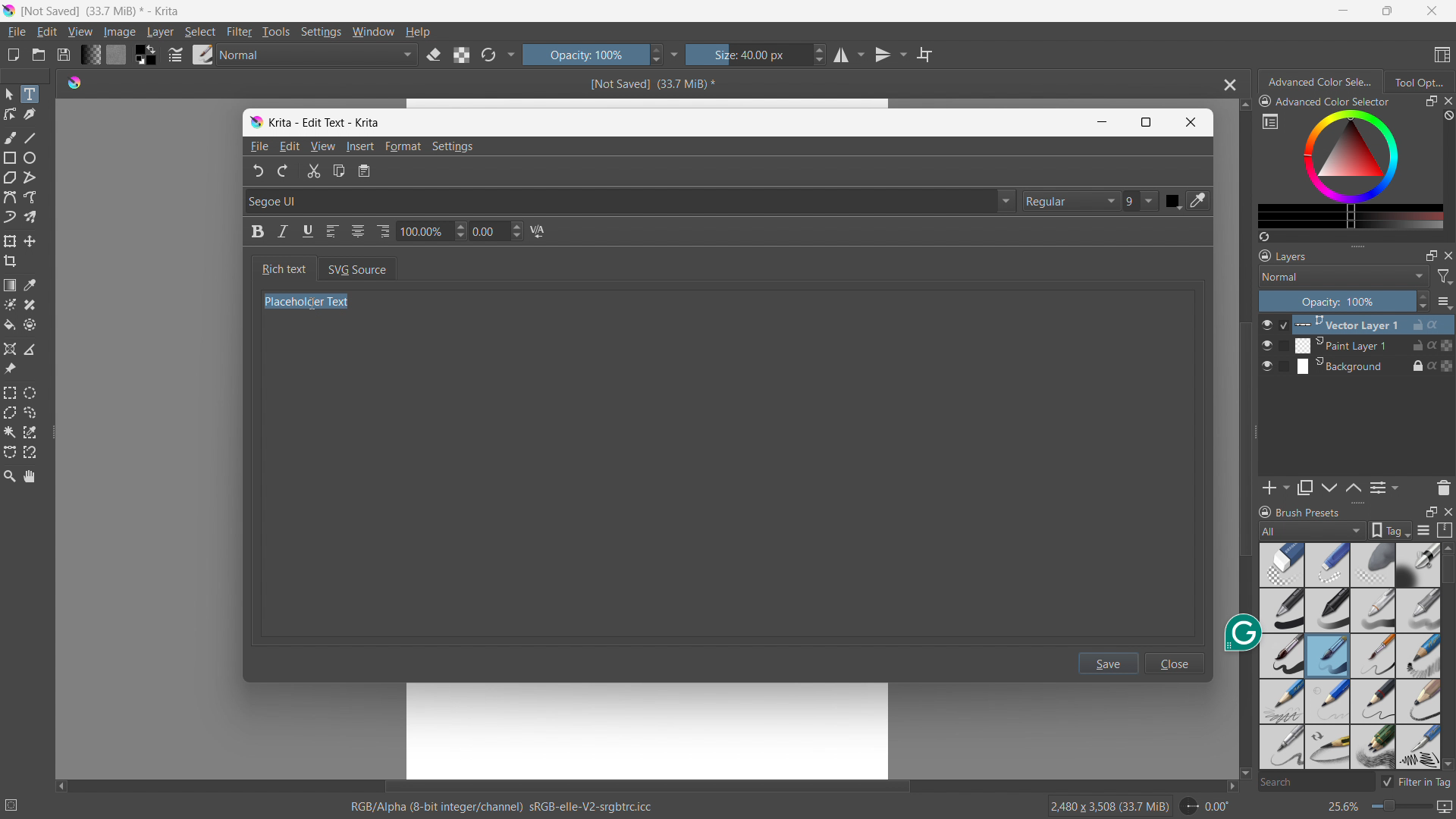 The width and height of the screenshot is (1456, 819). I want to click on reload original preset, so click(488, 54).